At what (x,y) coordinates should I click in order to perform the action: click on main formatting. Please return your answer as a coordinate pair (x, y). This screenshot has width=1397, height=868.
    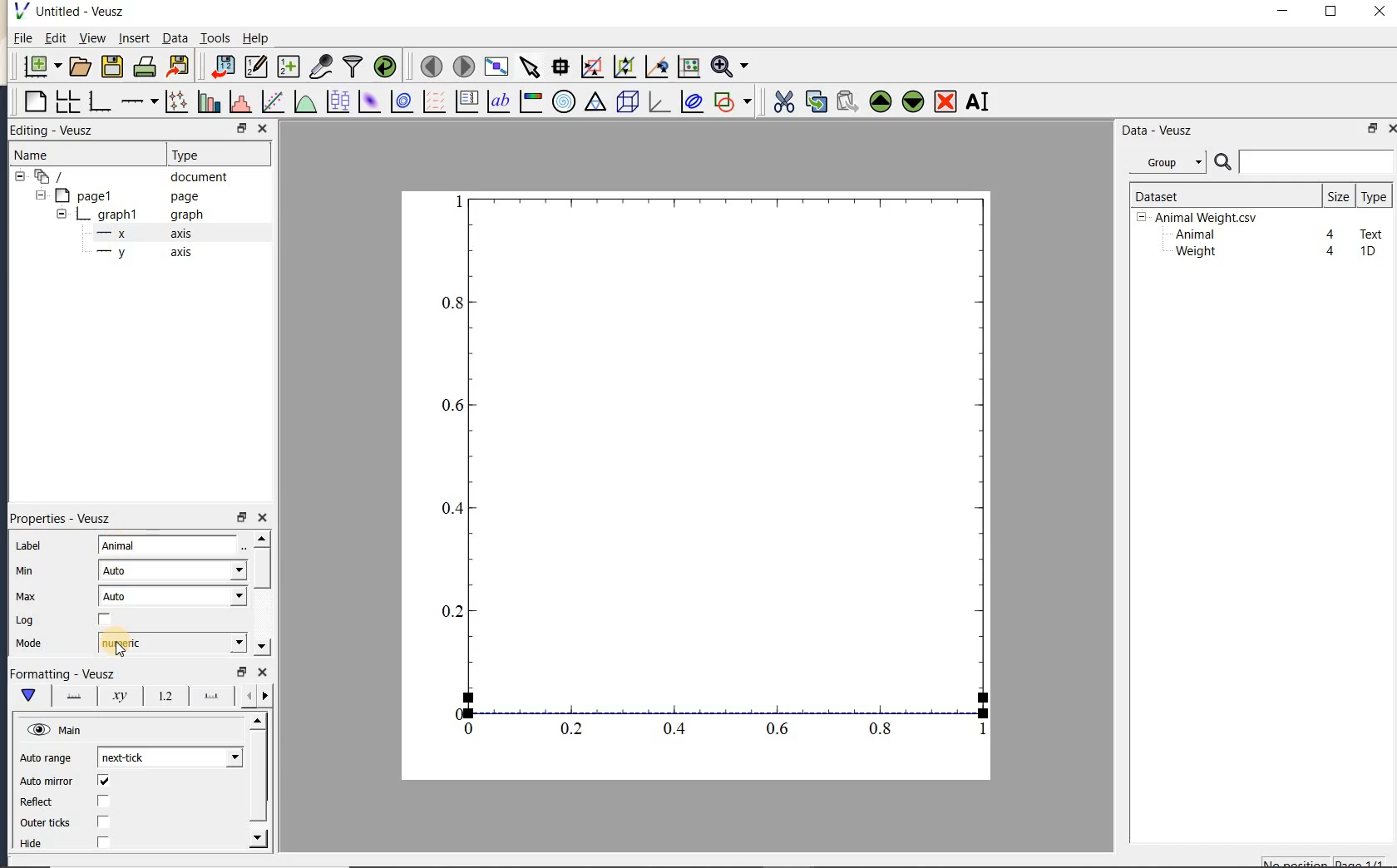
    Looking at the image, I should click on (27, 695).